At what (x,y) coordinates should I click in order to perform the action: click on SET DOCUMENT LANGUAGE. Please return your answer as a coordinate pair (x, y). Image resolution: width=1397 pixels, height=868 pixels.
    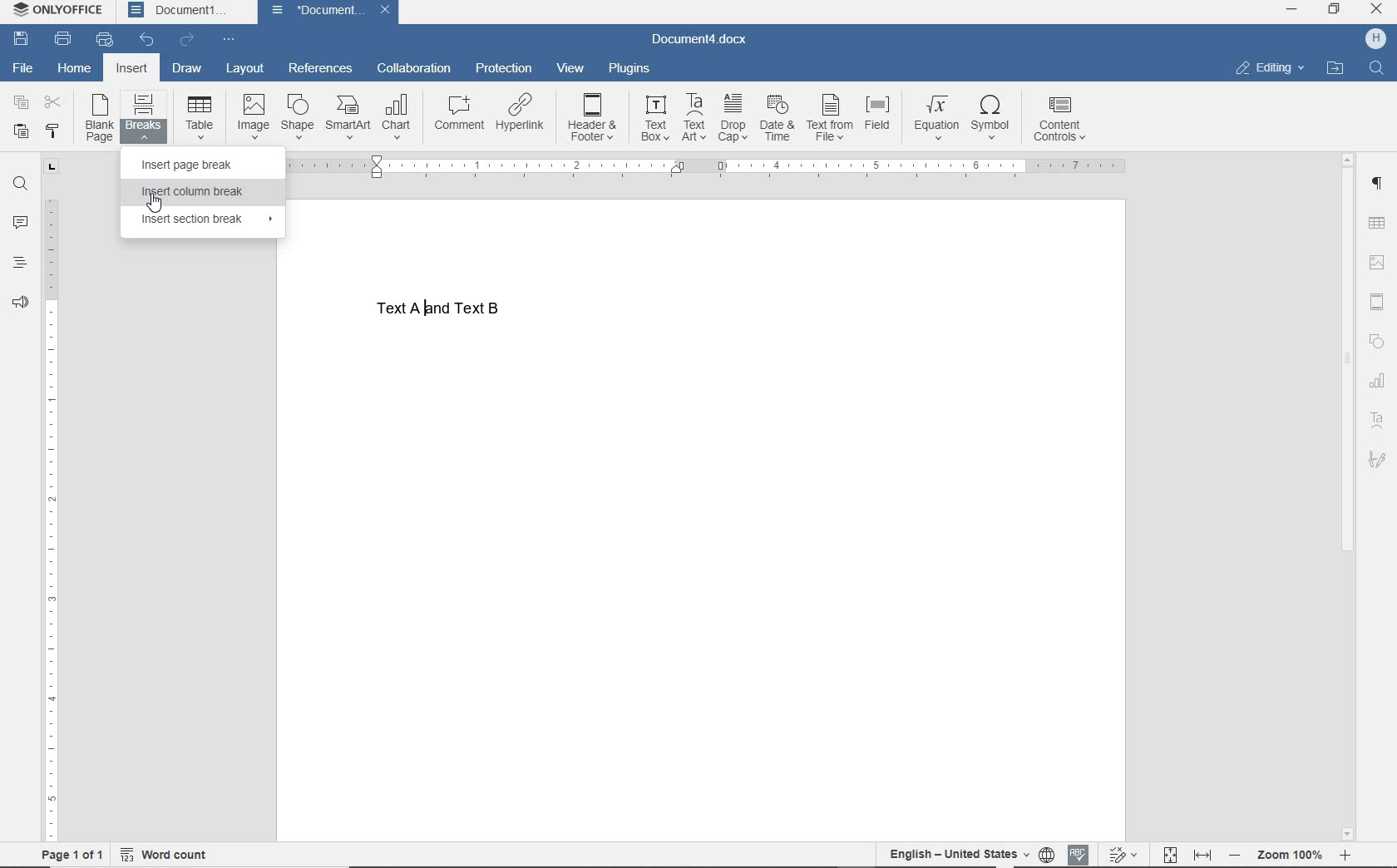
    Looking at the image, I should click on (1046, 852).